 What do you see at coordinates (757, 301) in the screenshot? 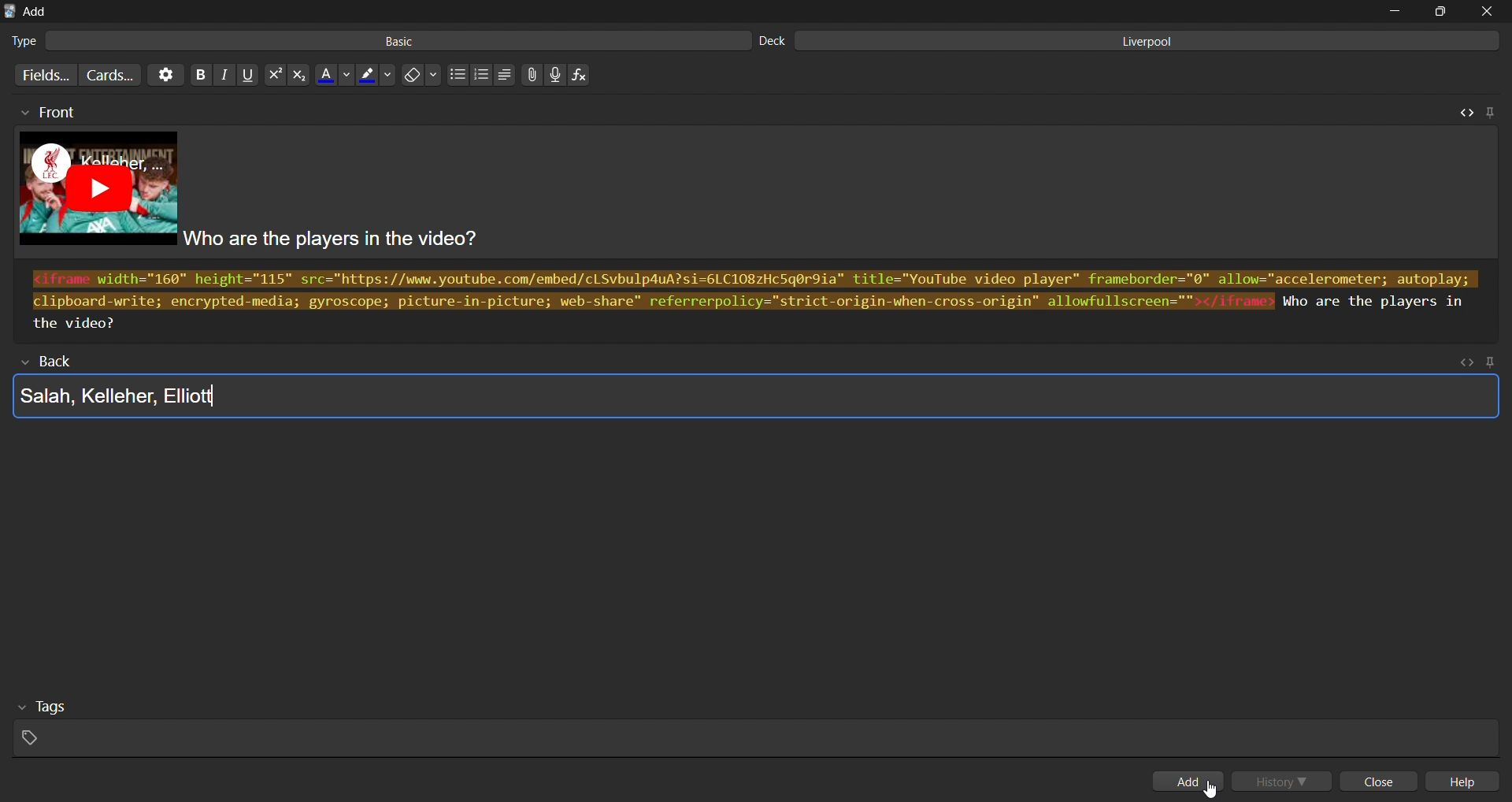
I see `html editor` at bounding box center [757, 301].